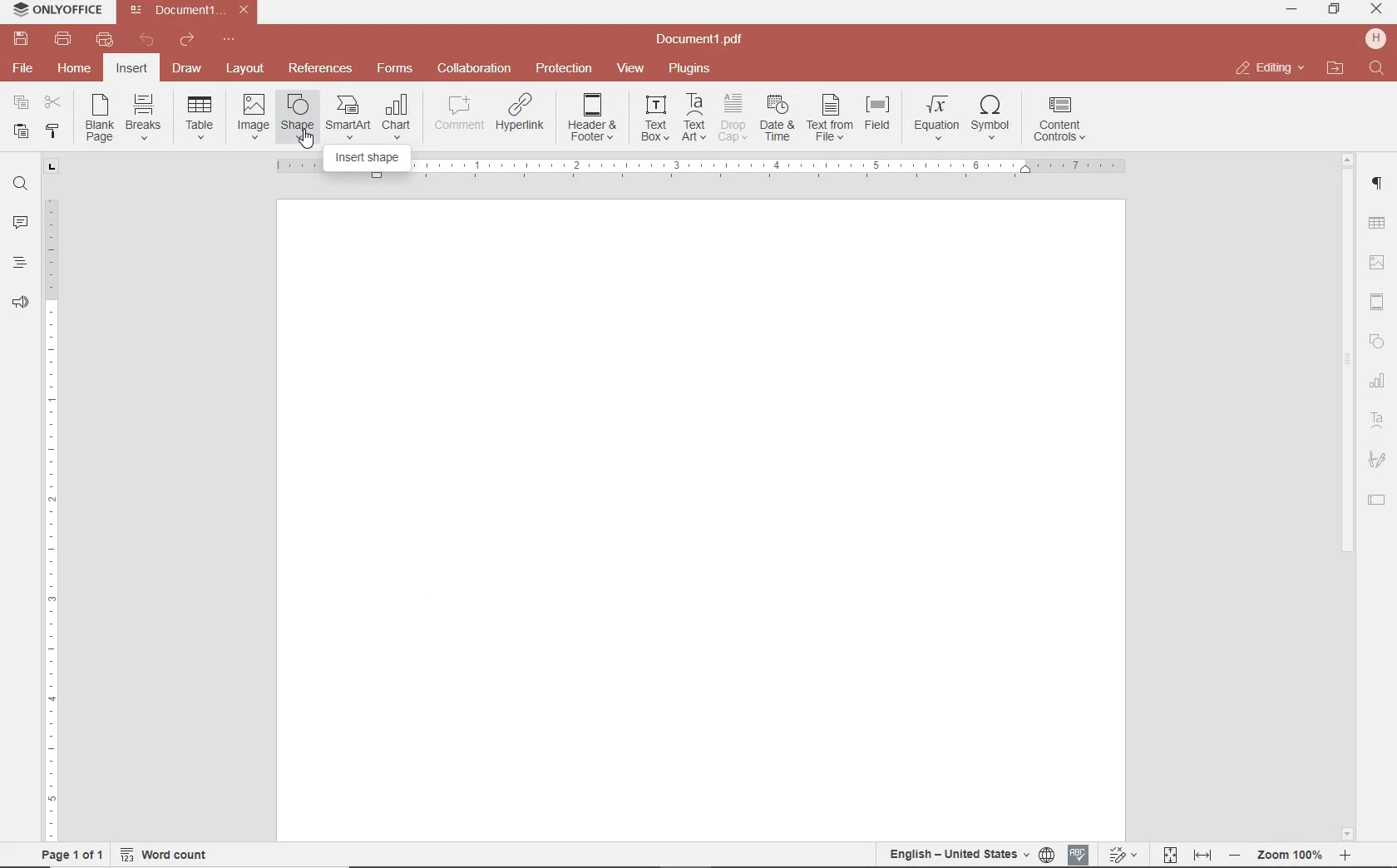 This screenshot has height=868, width=1397. What do you see at coordinates (693, 69) in the screenshot?
I see `plugins` at bounding box center [693, 69].